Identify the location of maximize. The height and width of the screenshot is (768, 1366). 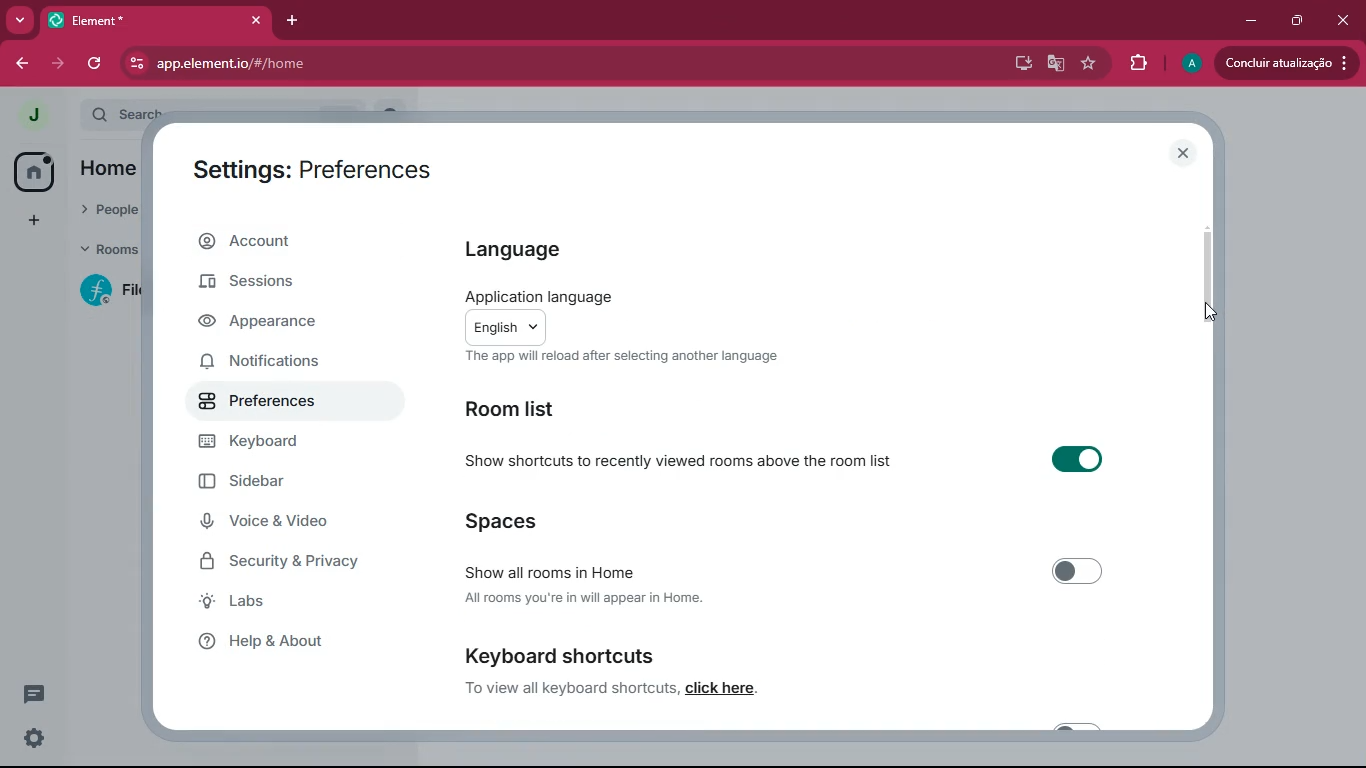
(1297, 21).